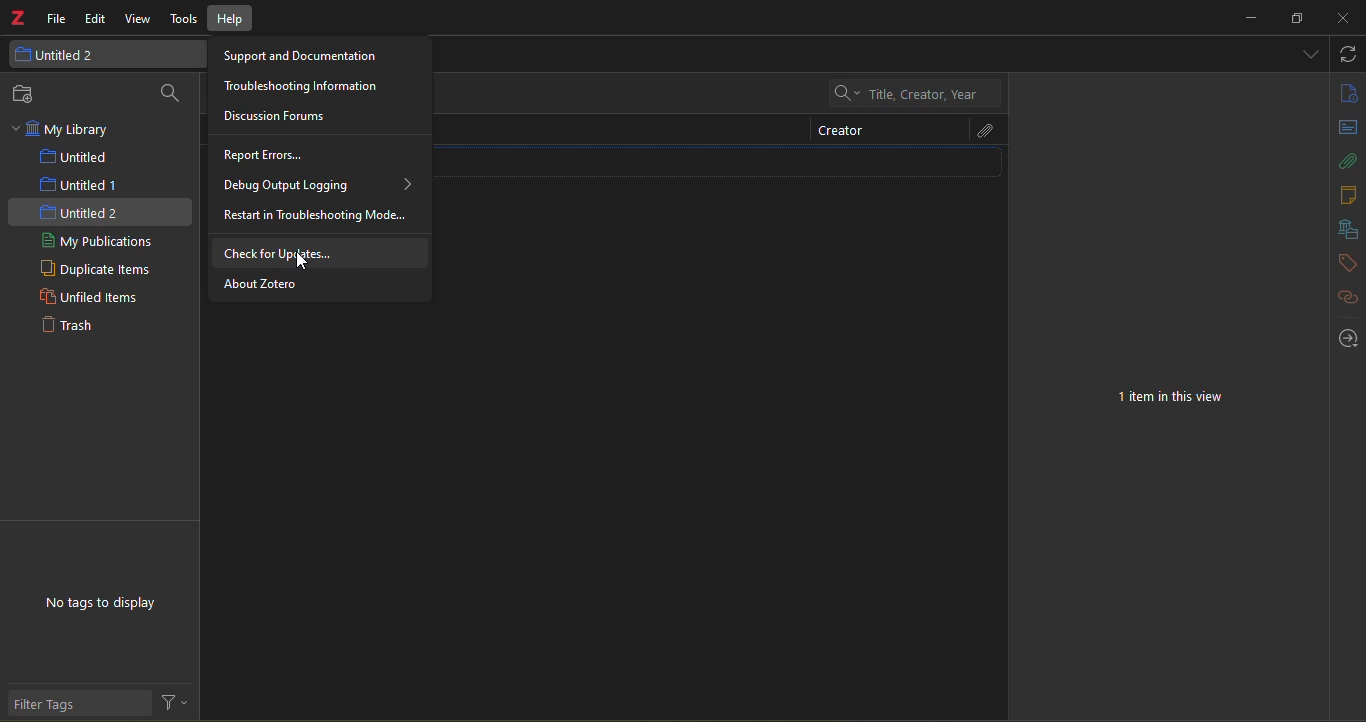  Describe the element at coordinates (1350, 53) in the screenshot. I see `sync` at that location.